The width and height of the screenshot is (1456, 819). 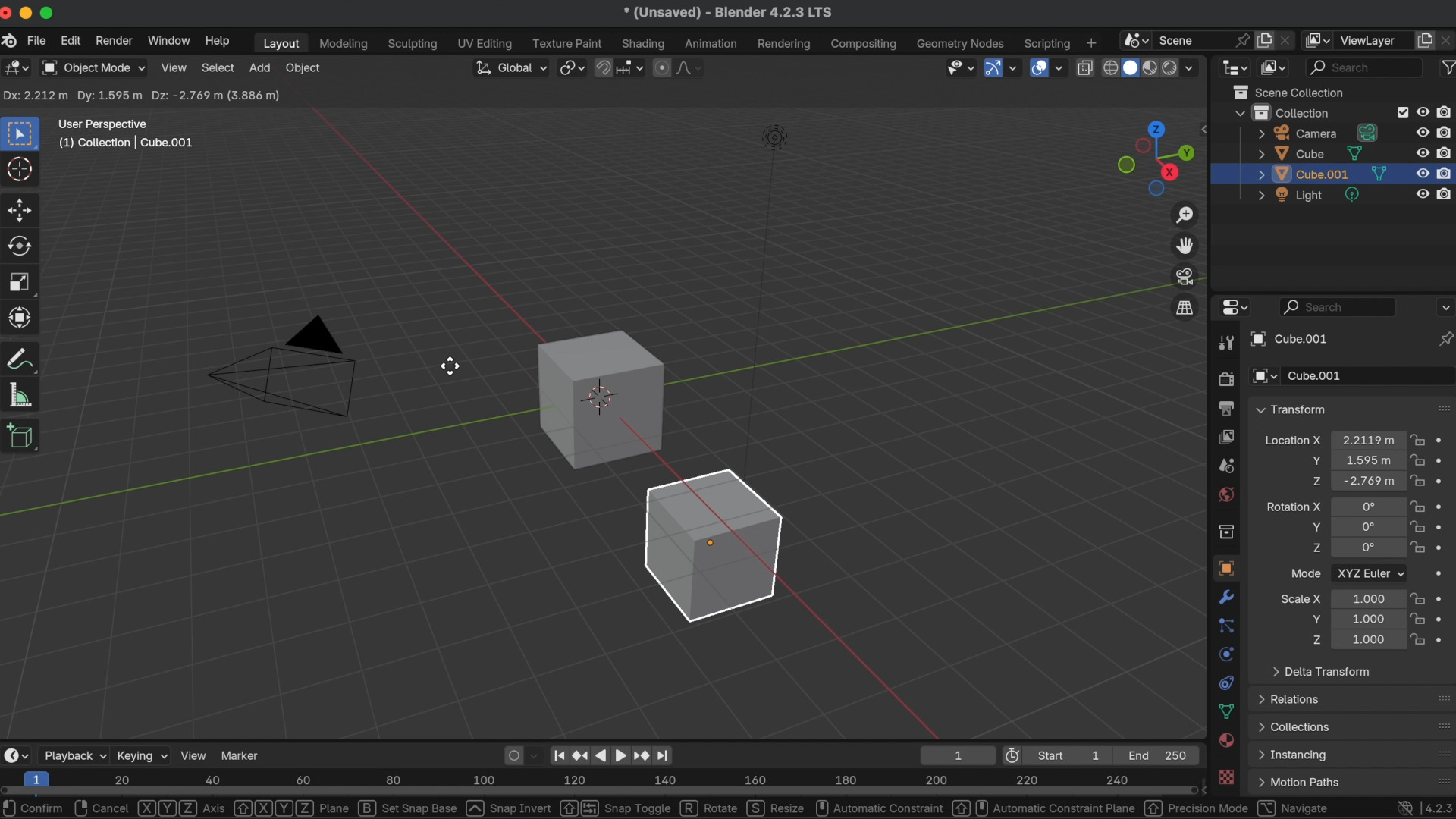 What do you see at coordinates (1294, 808) in the screenshot?
I see `Navigate` at bounding box center [1294, 808].